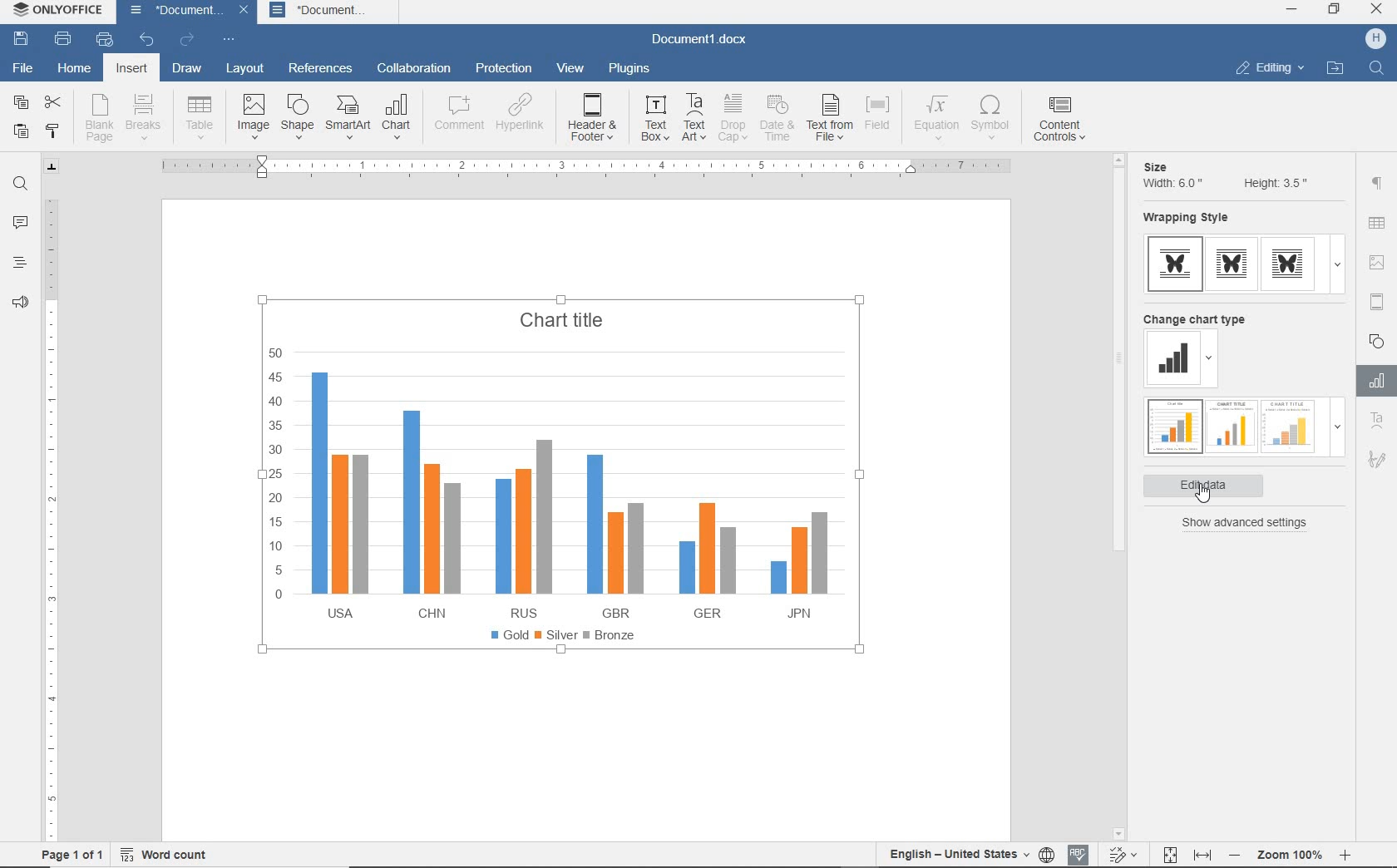 The image size is (1397, 868). What do you see at coordinates (831, 119) in the screenshot?
I see `text from file` at bounding box center [831, 119].